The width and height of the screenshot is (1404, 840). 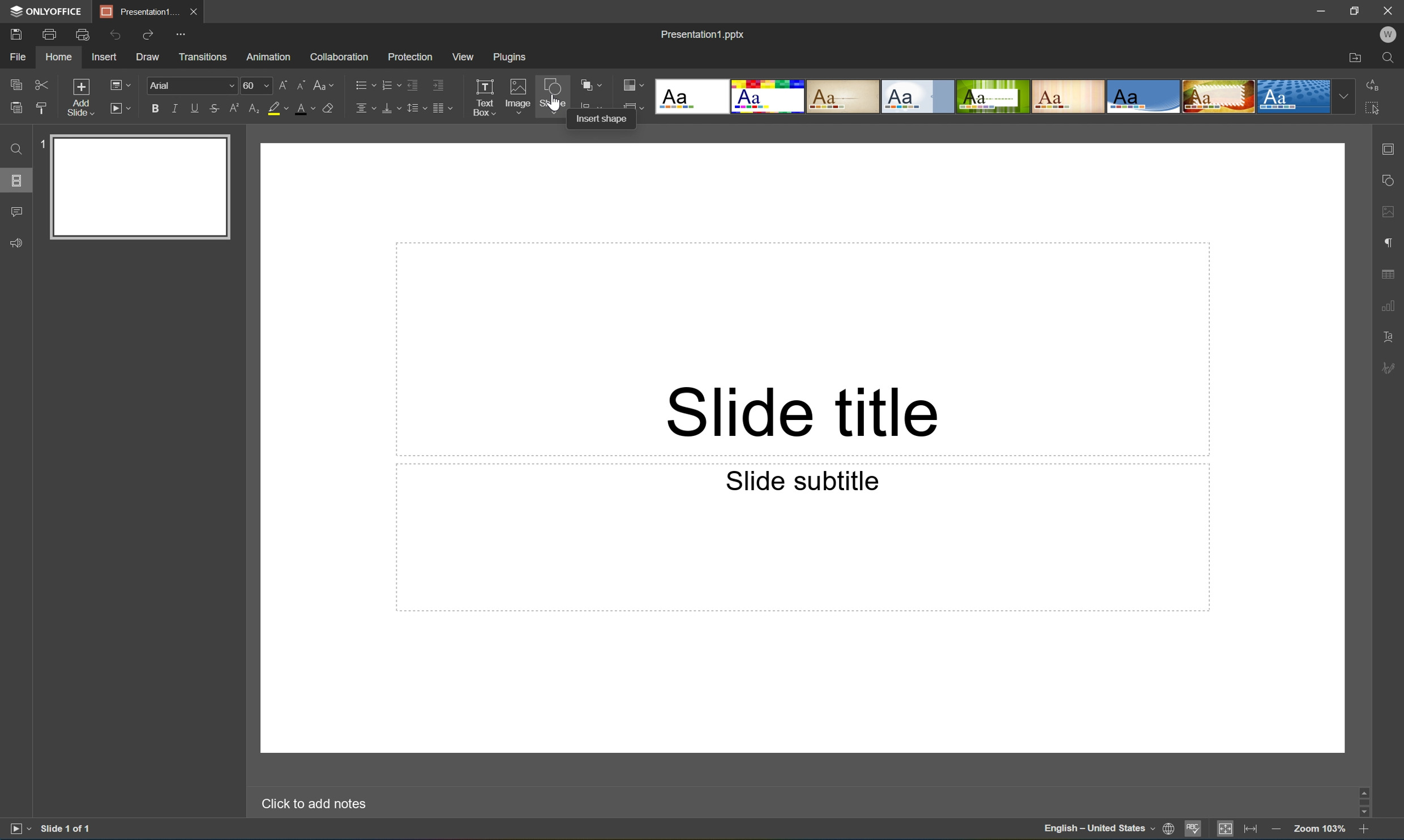 I want to click on Click to add notes, so click(x=310, y=804).